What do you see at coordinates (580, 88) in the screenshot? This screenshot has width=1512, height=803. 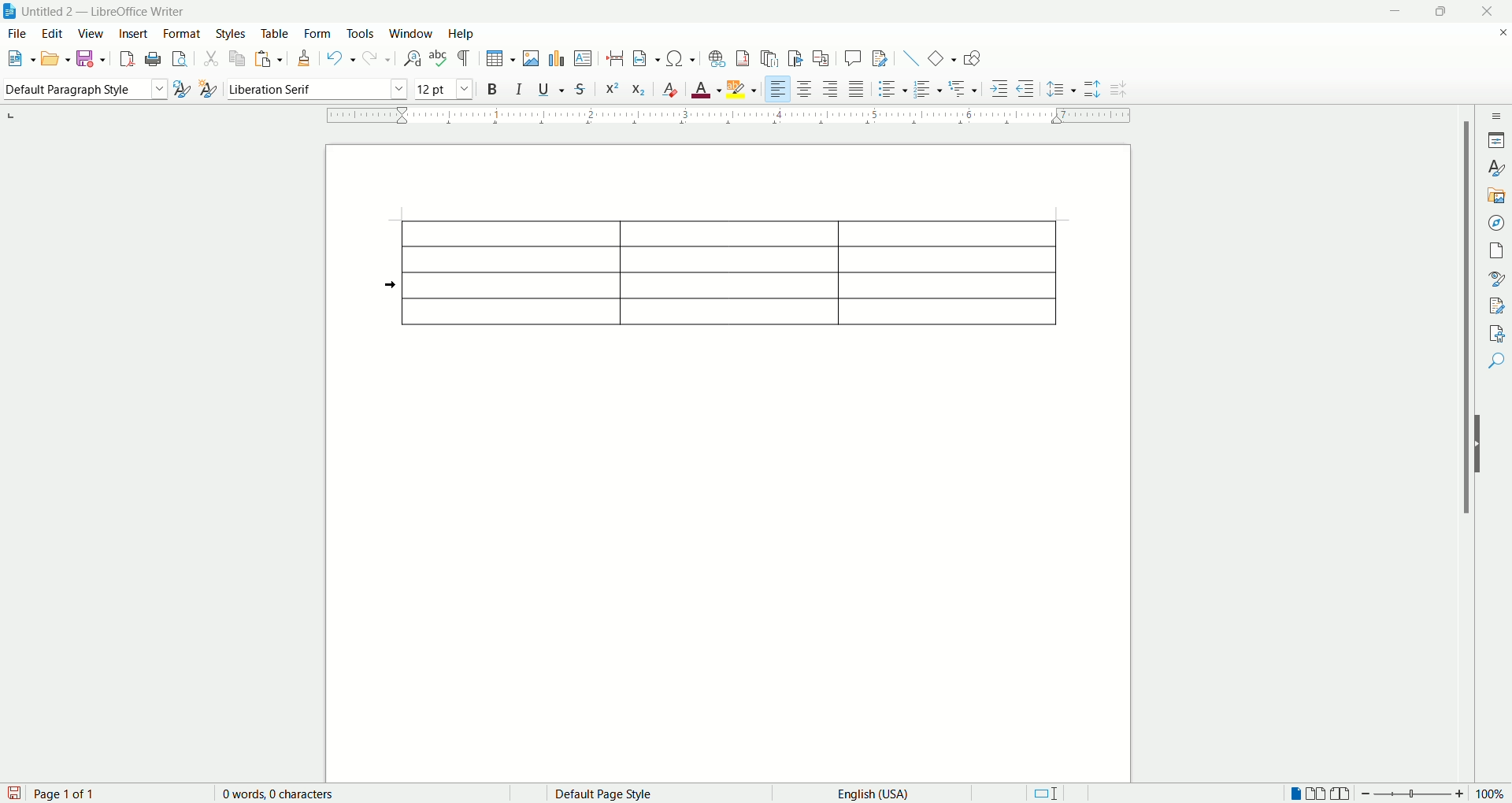 I see `strikethrough` at bounding box center [580, 88].